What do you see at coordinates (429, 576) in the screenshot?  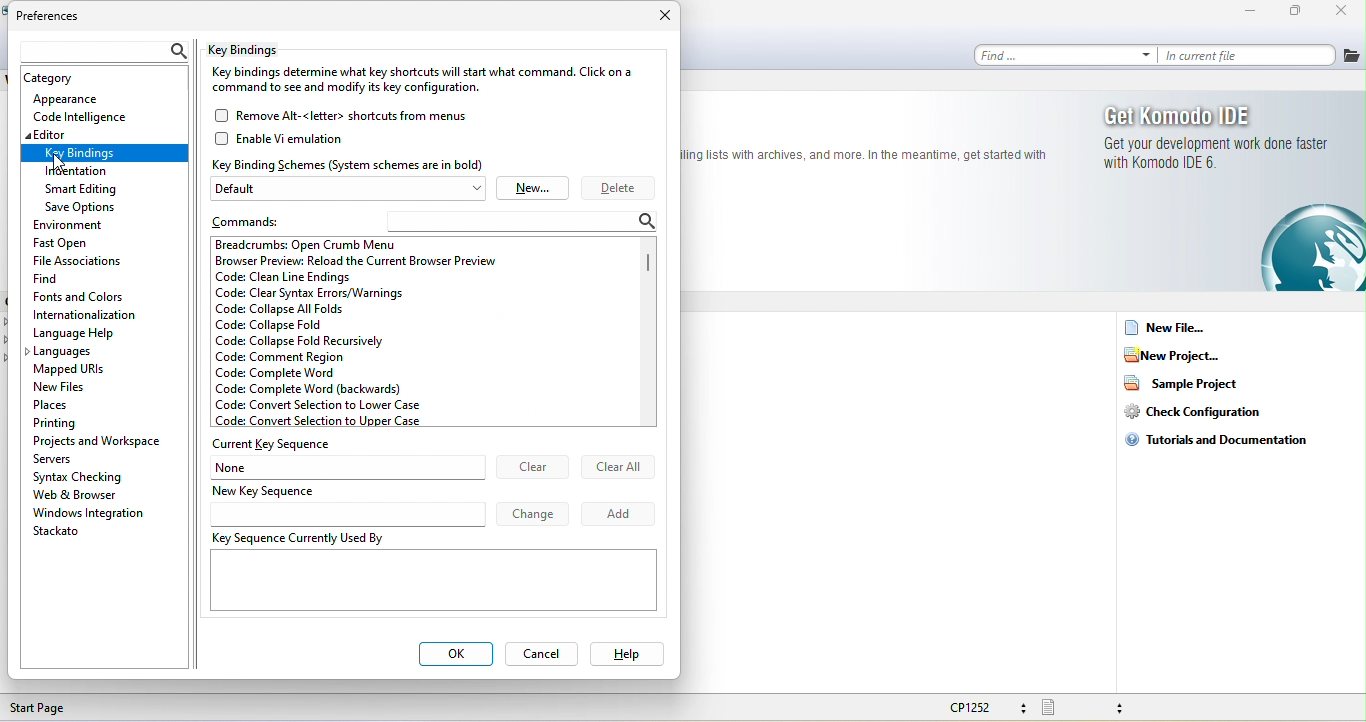 I see `key sequence currently used by` at bounding box center [429, 576].